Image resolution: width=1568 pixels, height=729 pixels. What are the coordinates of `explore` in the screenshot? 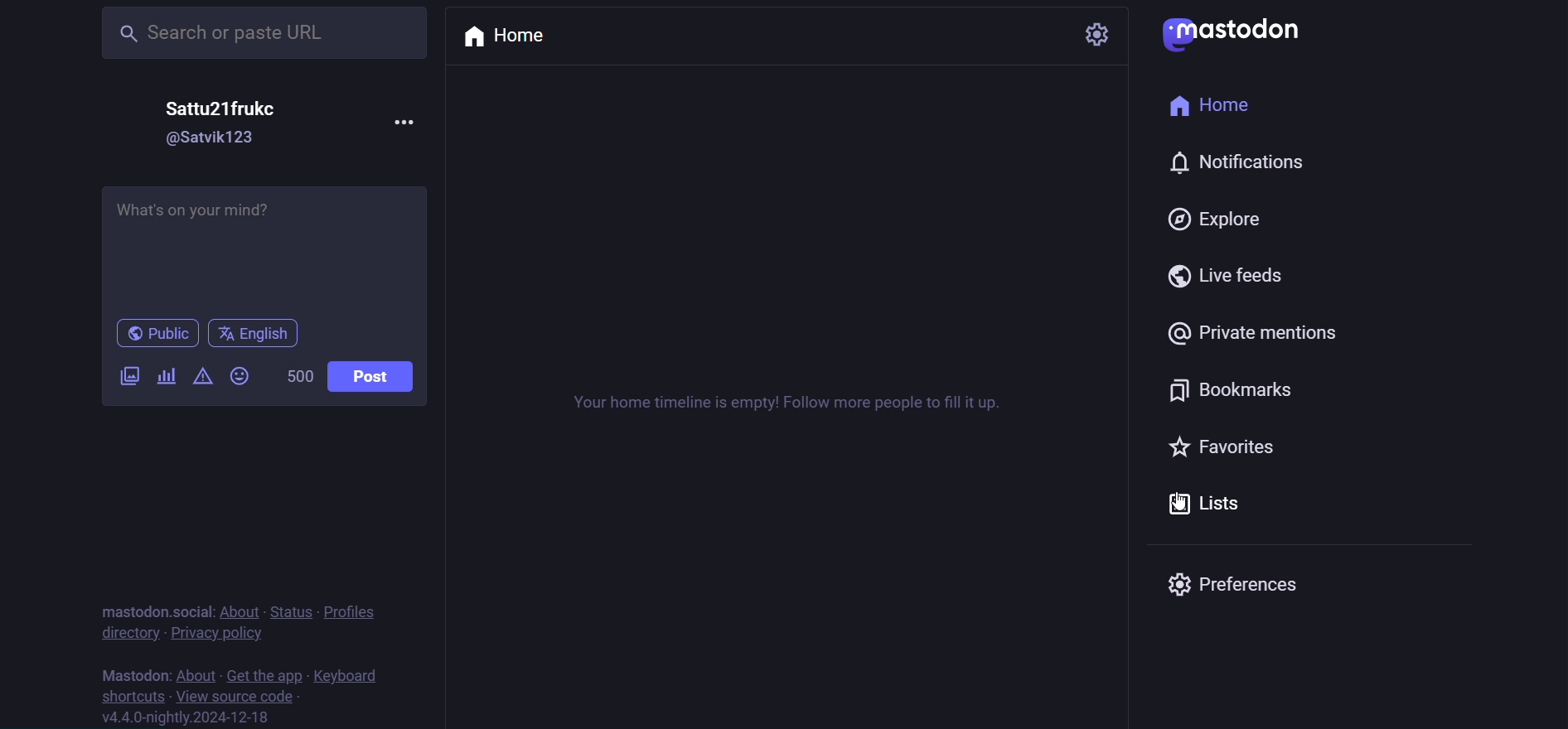 It's located at (1215, 216).